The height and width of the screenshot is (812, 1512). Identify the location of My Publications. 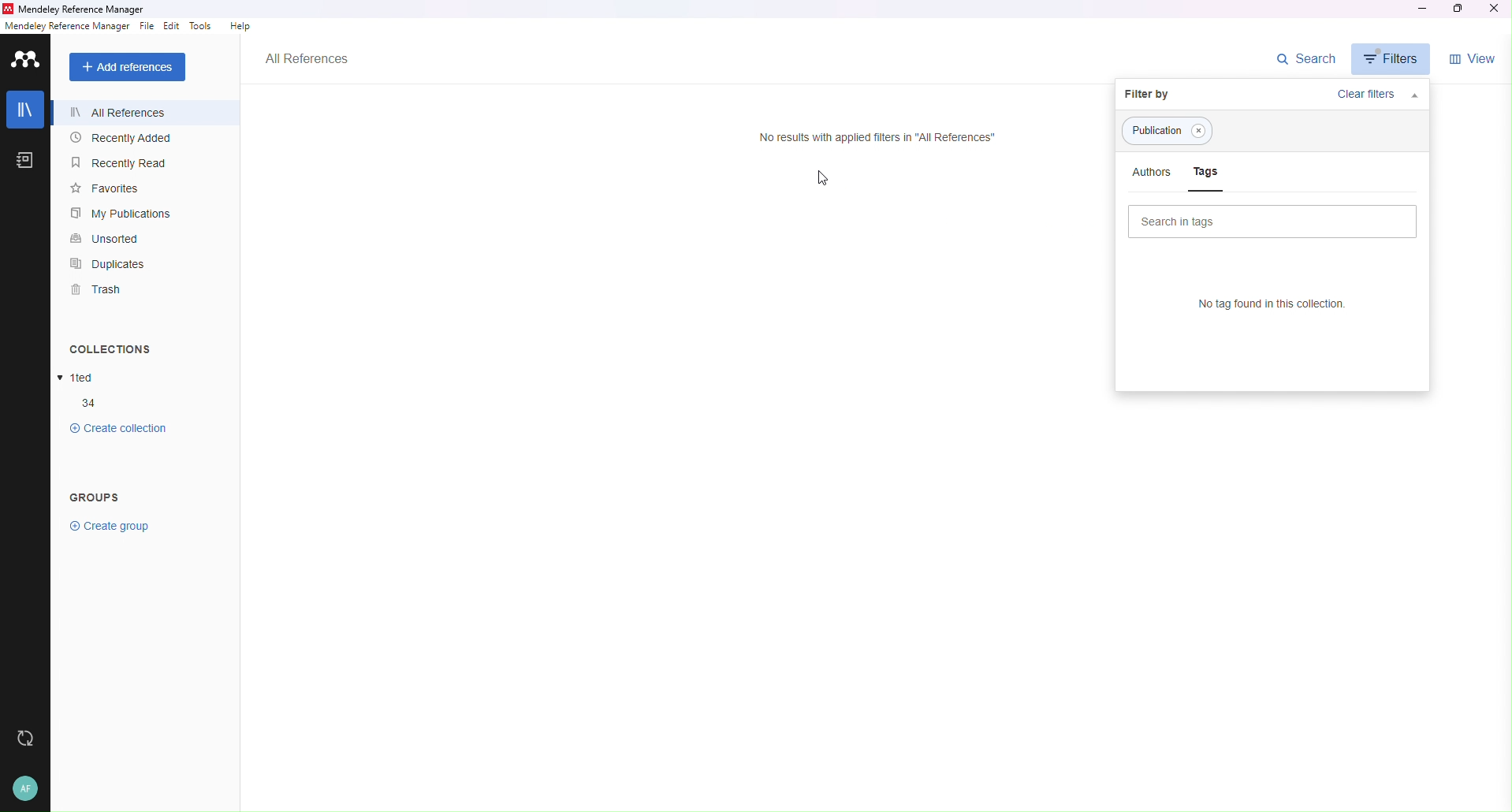
(130, 214).